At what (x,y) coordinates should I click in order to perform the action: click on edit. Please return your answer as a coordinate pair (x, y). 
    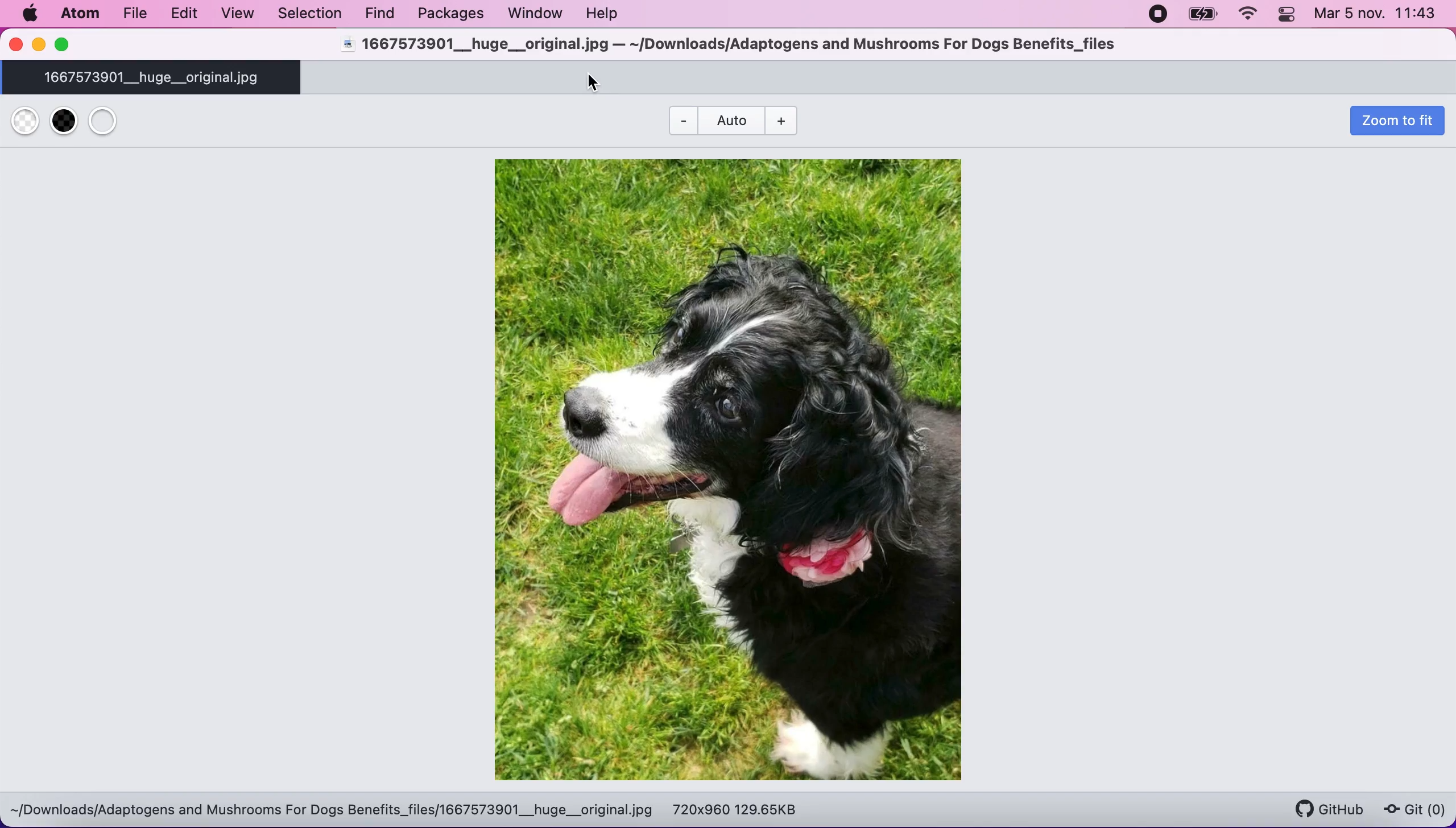
    Looking at the image, I should click on (184, 13).